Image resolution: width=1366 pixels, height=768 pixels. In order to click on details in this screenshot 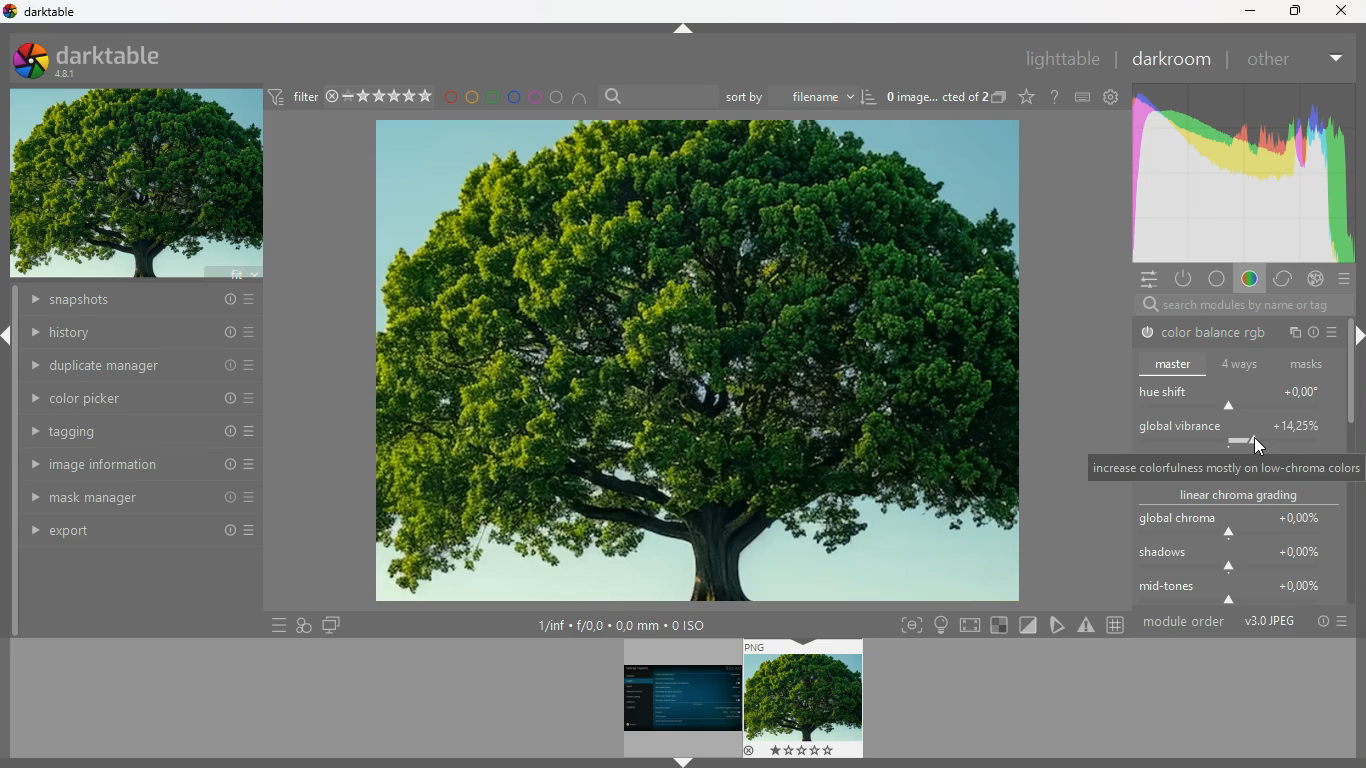, I will do `click(632, 626)`.